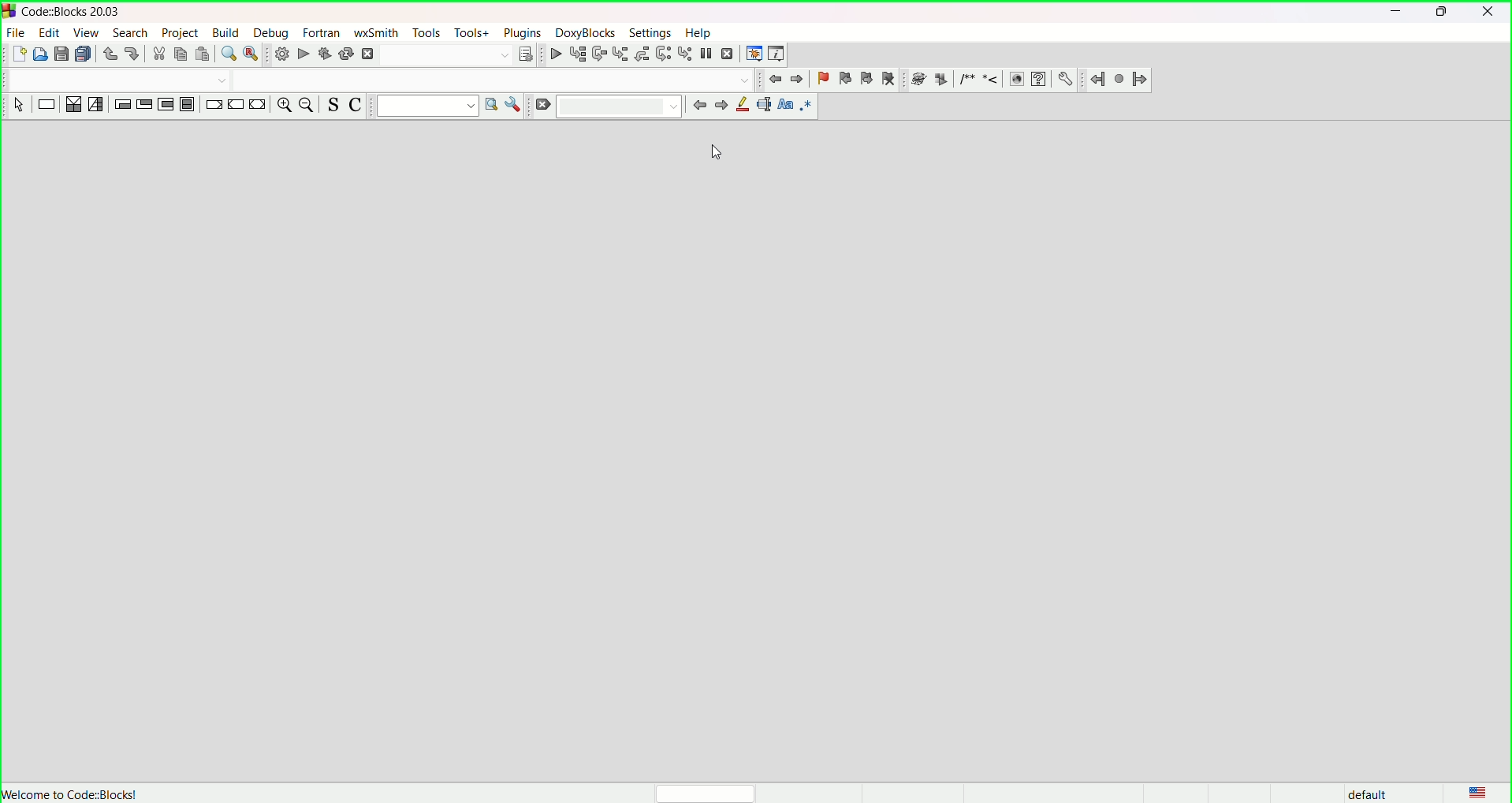 This screenshot has width=1512, height=803. I want to click on minimize/maximize, so click(1441, 13).